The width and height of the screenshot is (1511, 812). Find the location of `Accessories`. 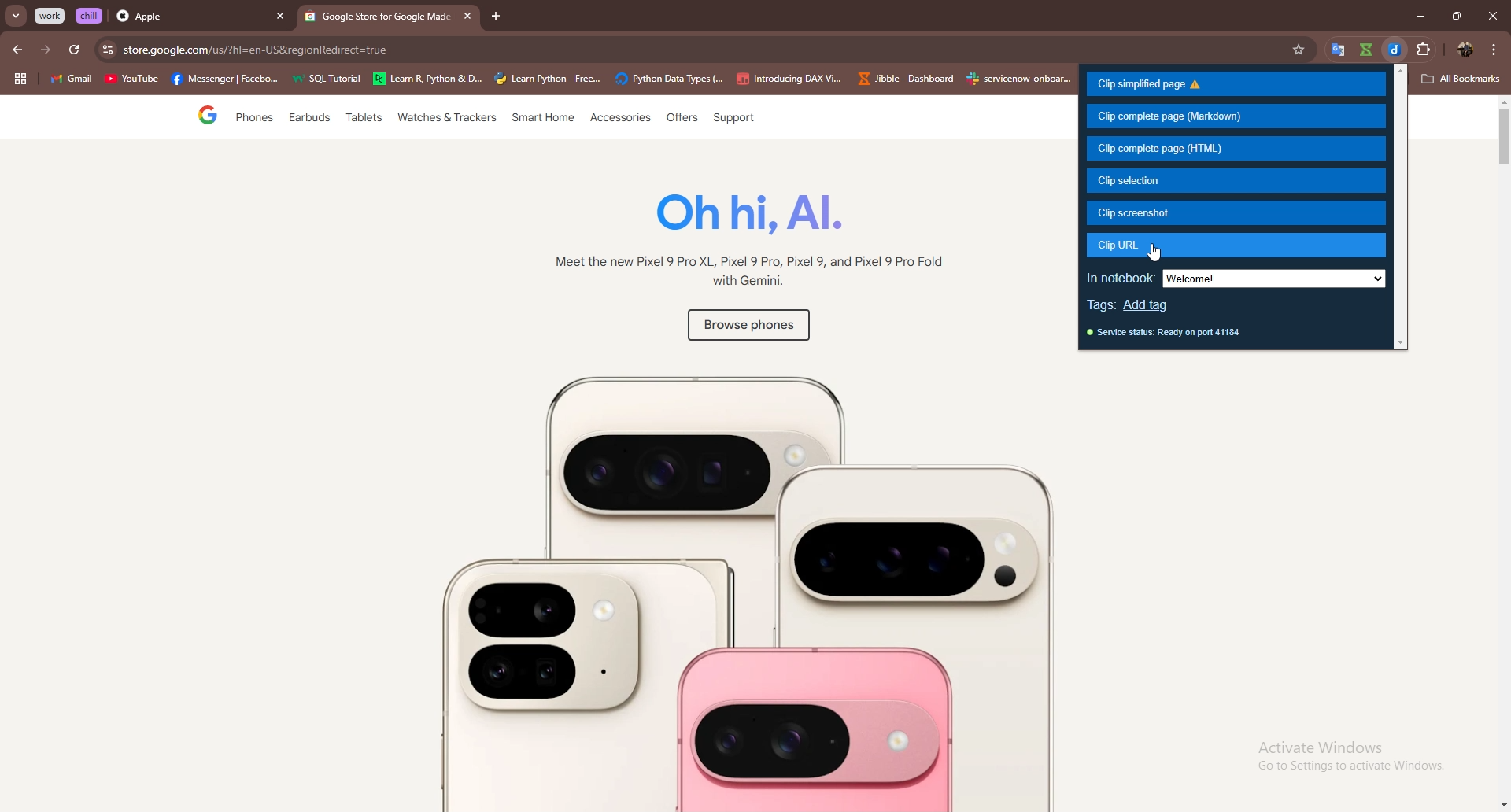

Accessories is located at coordinates (622, 119).